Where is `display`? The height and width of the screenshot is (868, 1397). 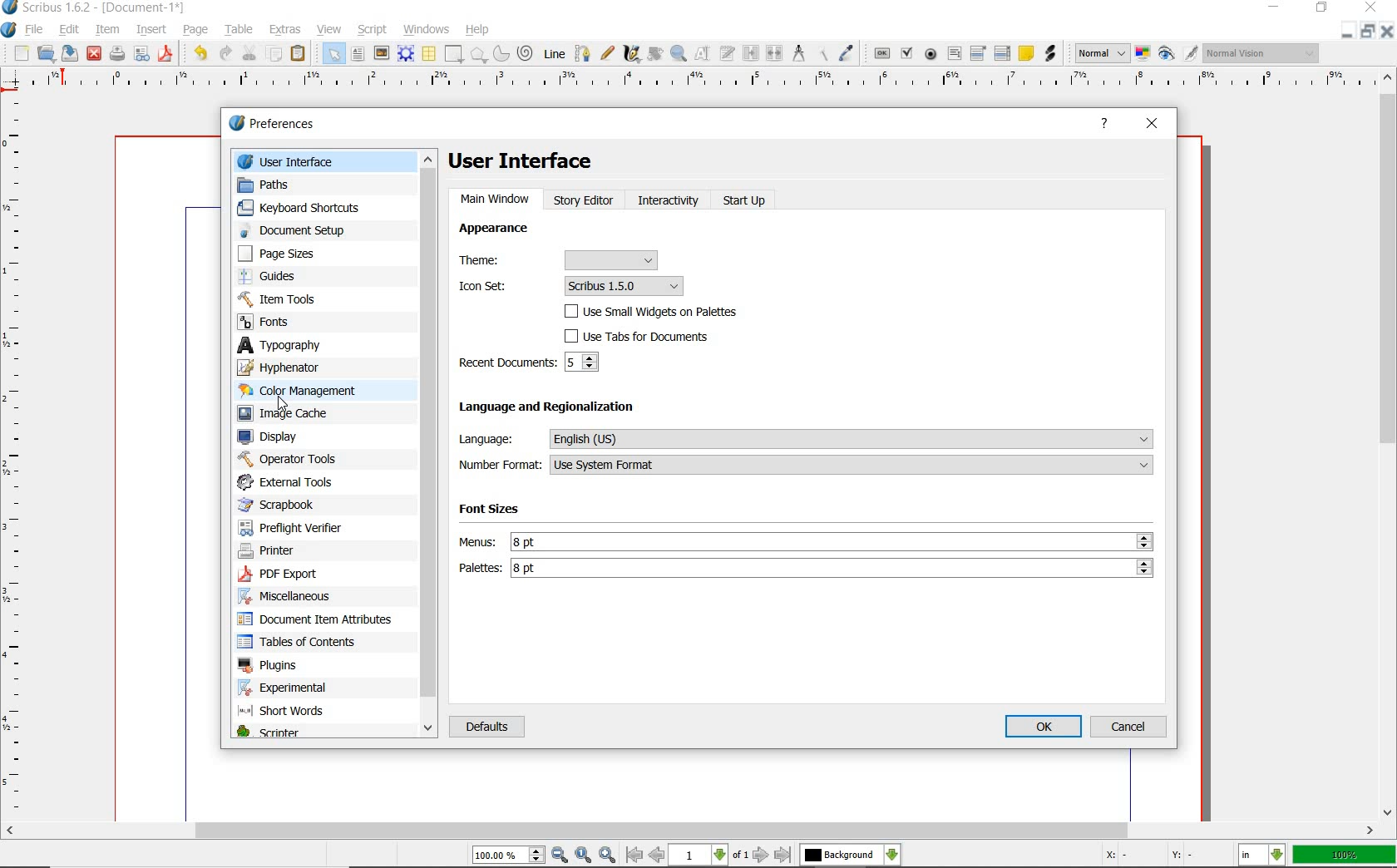
display is located at coordinates (298, 437).